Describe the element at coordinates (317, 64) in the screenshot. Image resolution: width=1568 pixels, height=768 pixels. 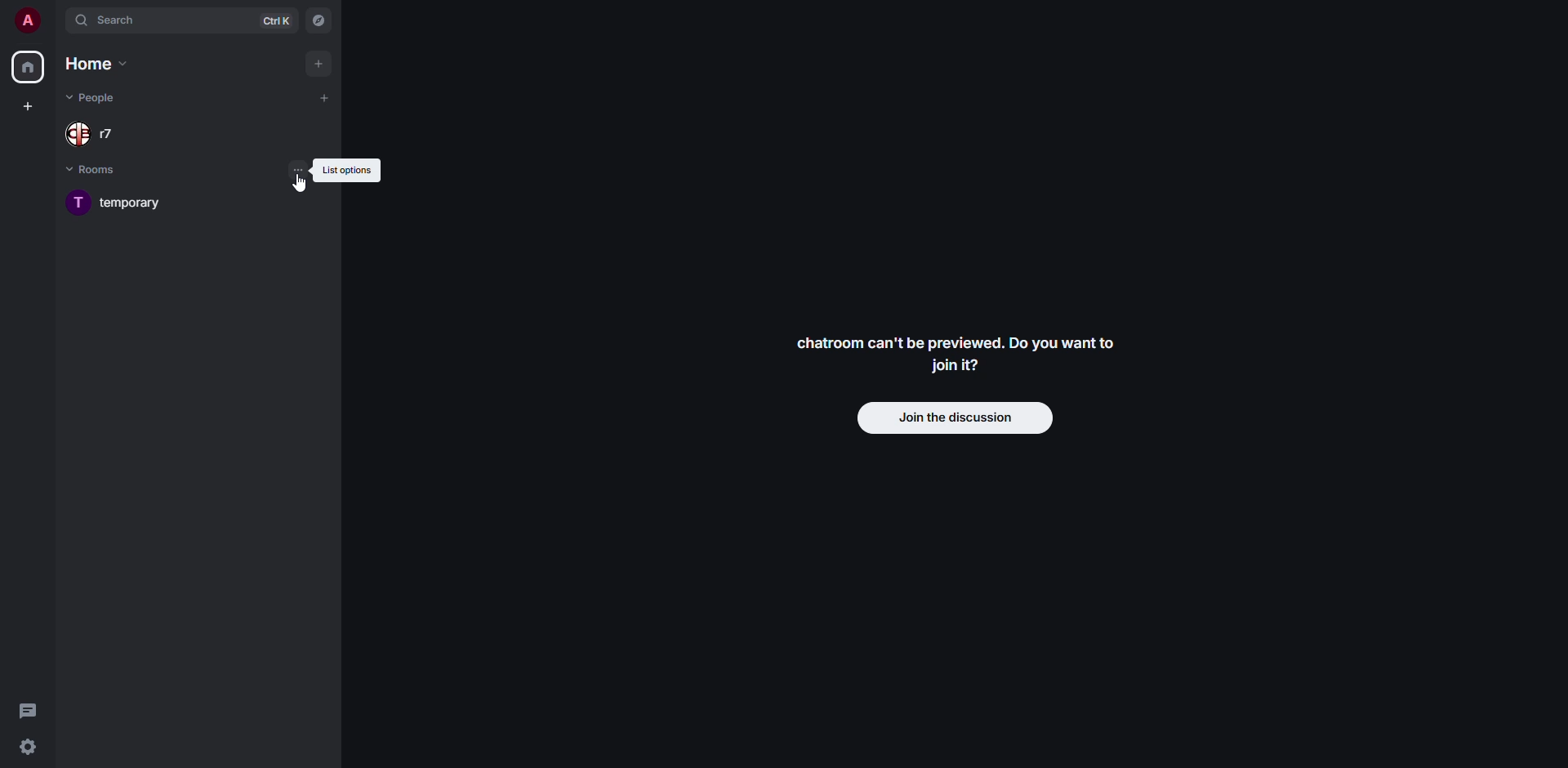
I see `add` at that location.